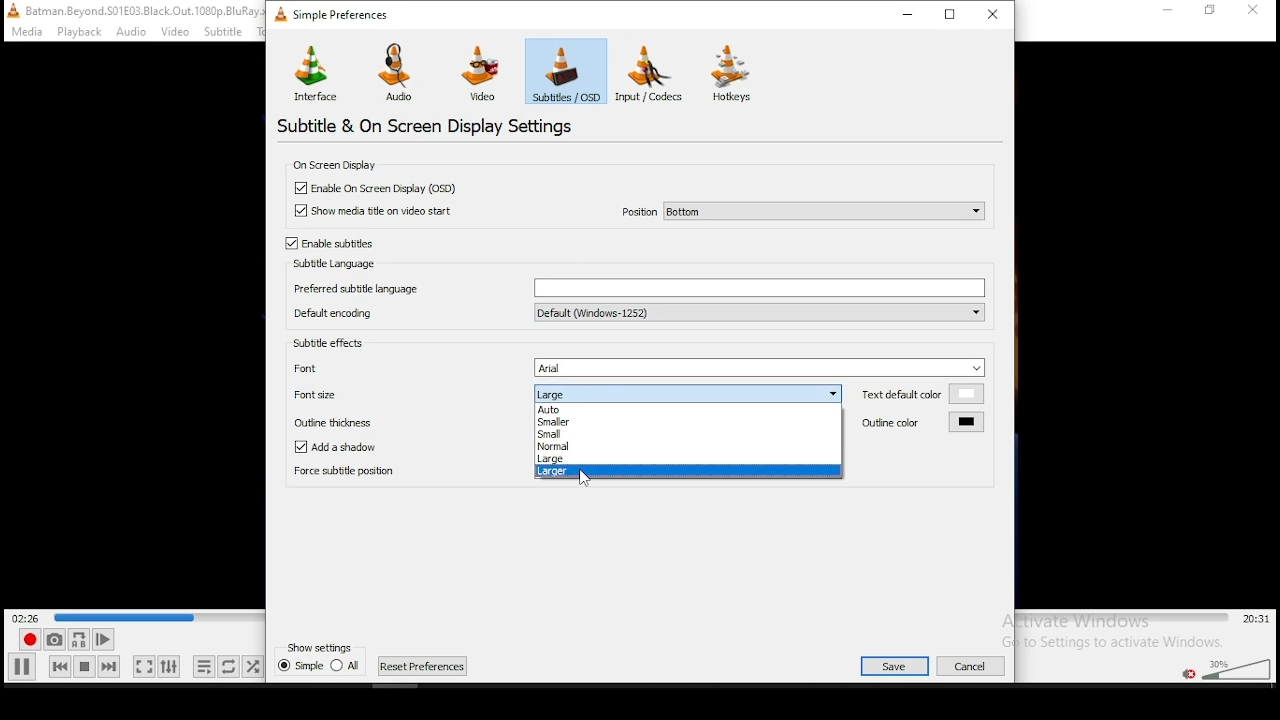 The image size is (1280, 720). What do you see at coordinates (907, 13) in the screenshot?
I see `minimize` at bounding box center [907, 13].